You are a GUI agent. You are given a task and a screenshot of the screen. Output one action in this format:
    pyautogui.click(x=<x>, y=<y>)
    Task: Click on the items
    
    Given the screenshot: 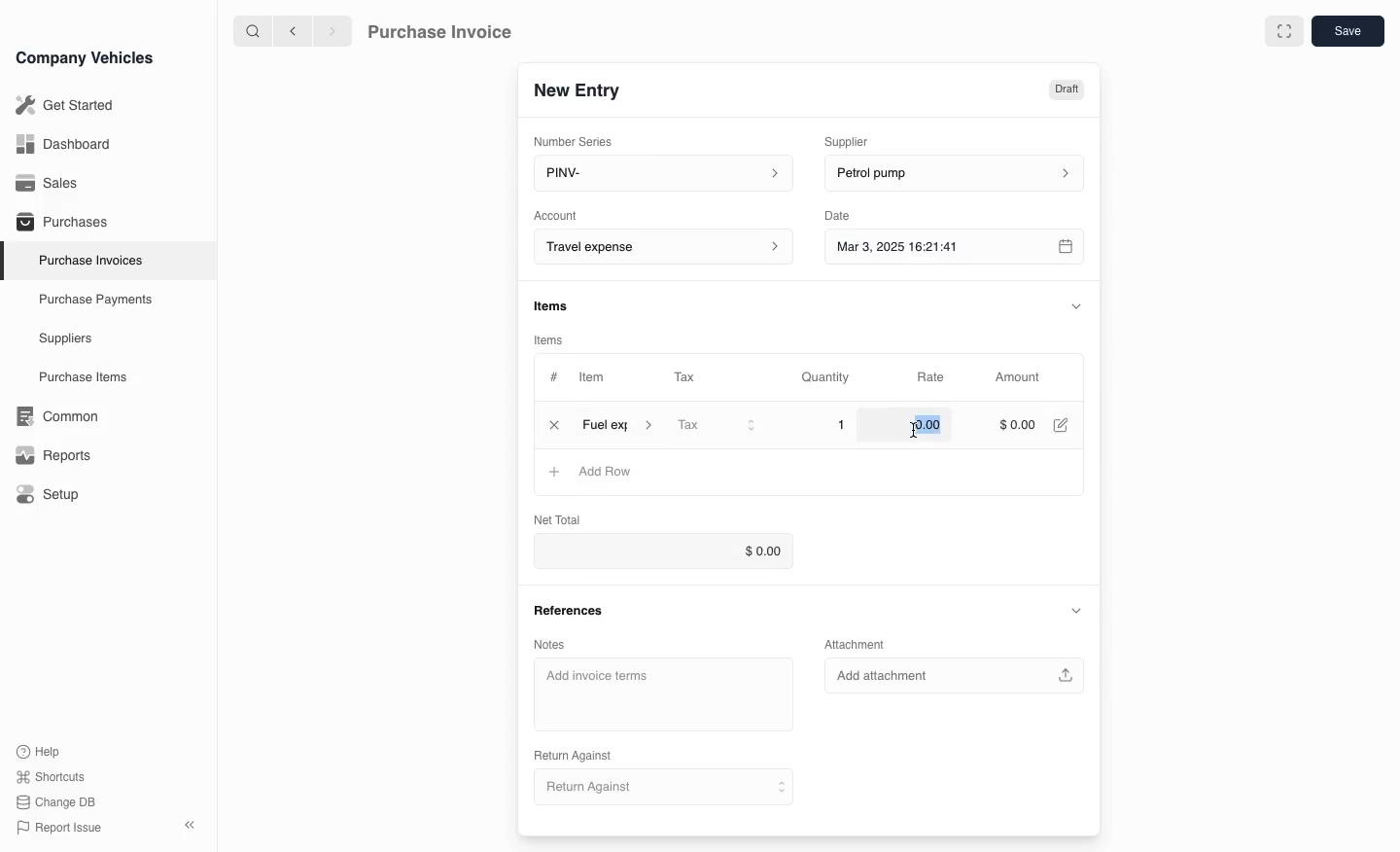 What is the action you would take?
    pyautogui.click(x=553, y=307)
    